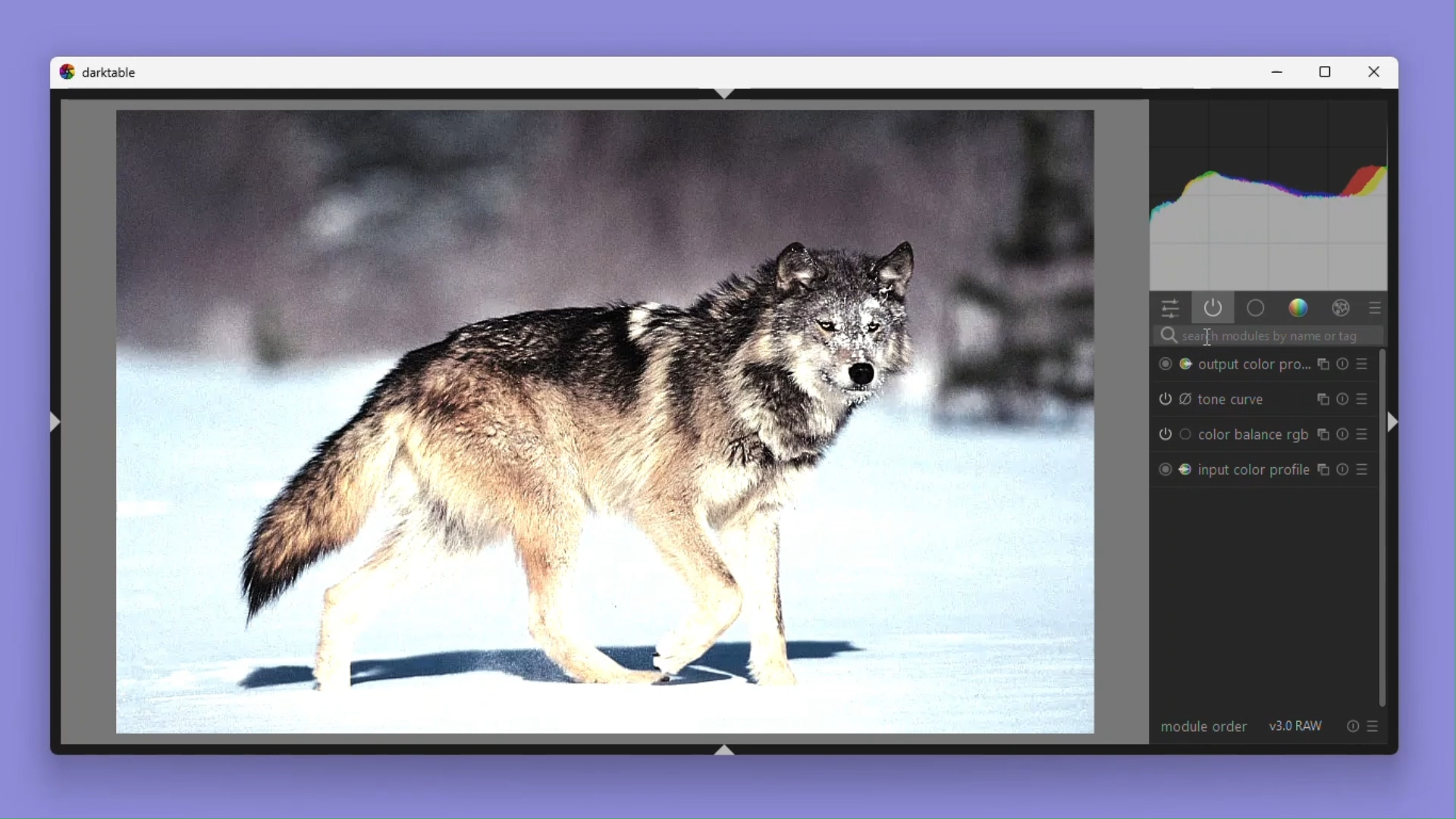  I want to click on Preset, so click(1365, 469).